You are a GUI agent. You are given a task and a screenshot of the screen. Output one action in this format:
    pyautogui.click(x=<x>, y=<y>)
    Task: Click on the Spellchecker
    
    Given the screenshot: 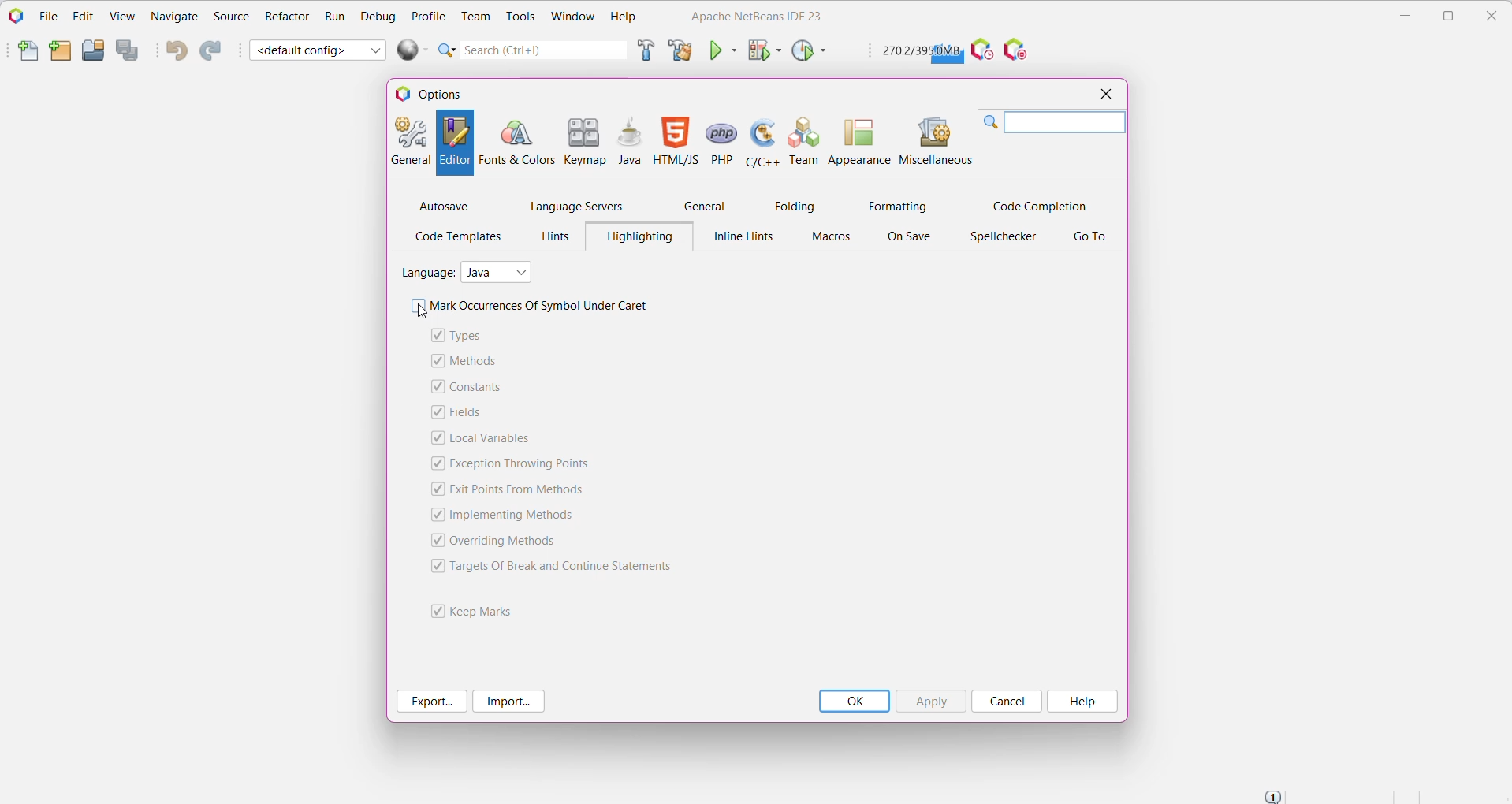 What is the action you would take?
    pyautogui.click(x=1003, y=237)
    